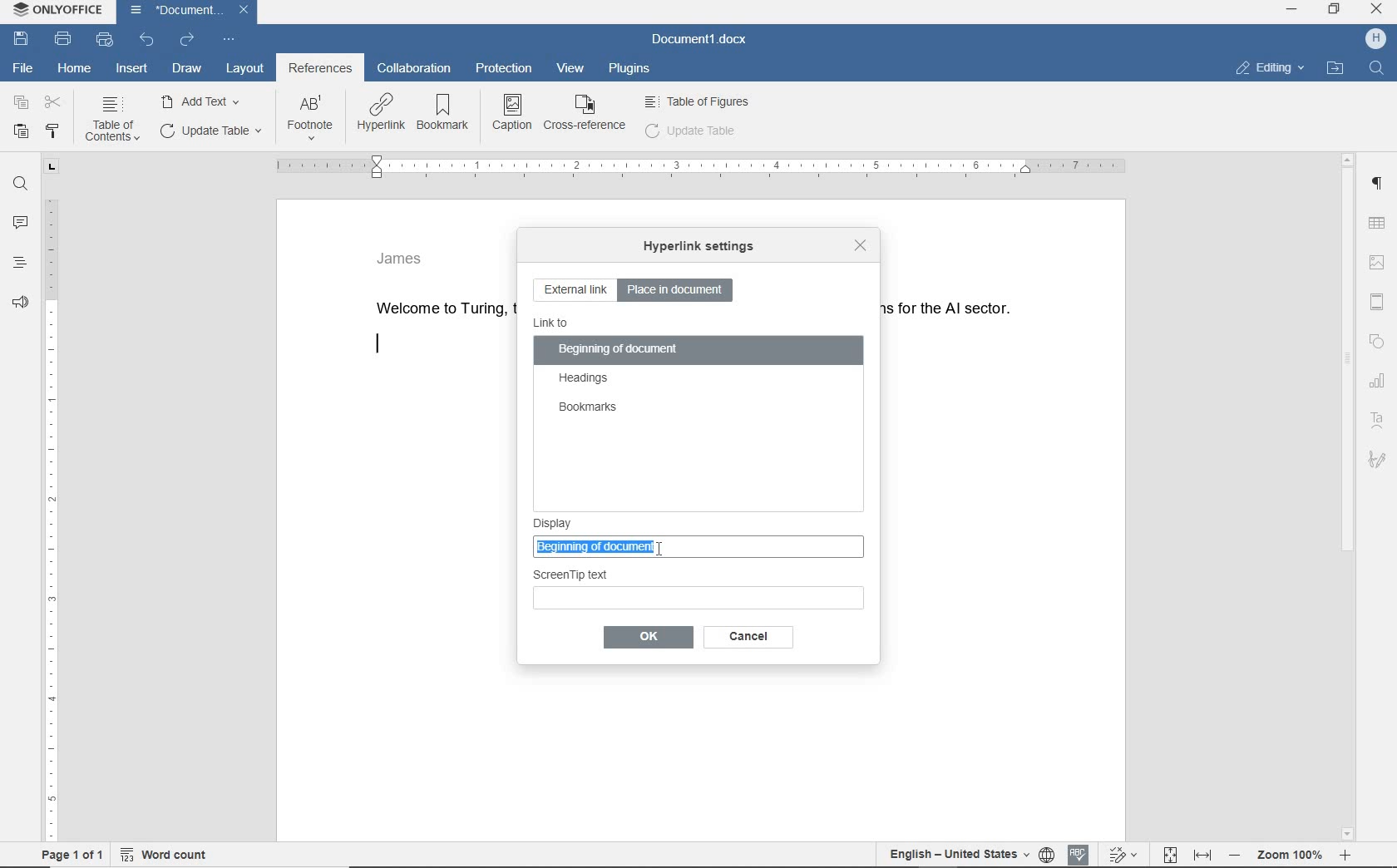  I want to click on fit to width, so click(1202, 854).